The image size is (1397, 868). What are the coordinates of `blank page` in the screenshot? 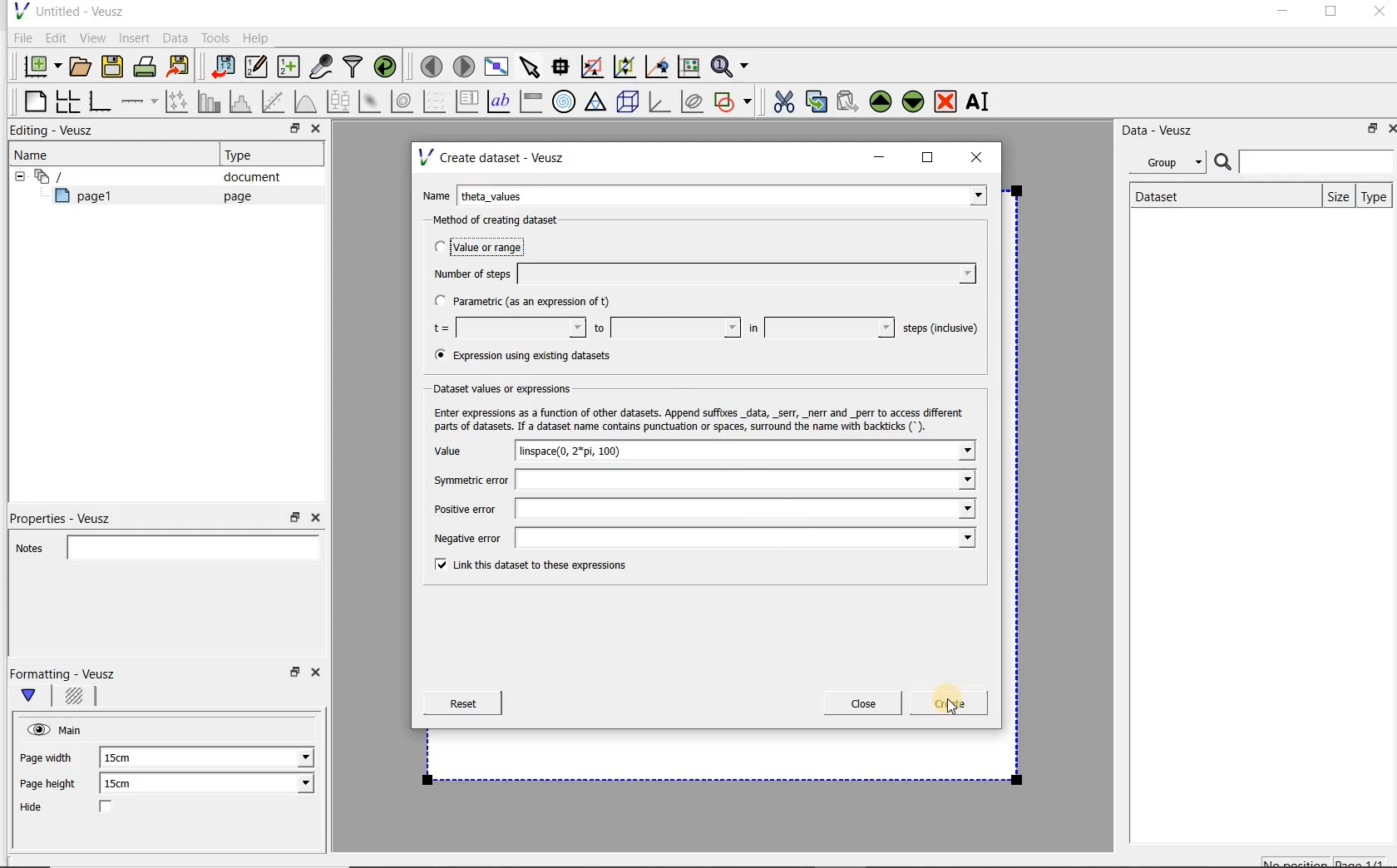 It's located at (32, 99).